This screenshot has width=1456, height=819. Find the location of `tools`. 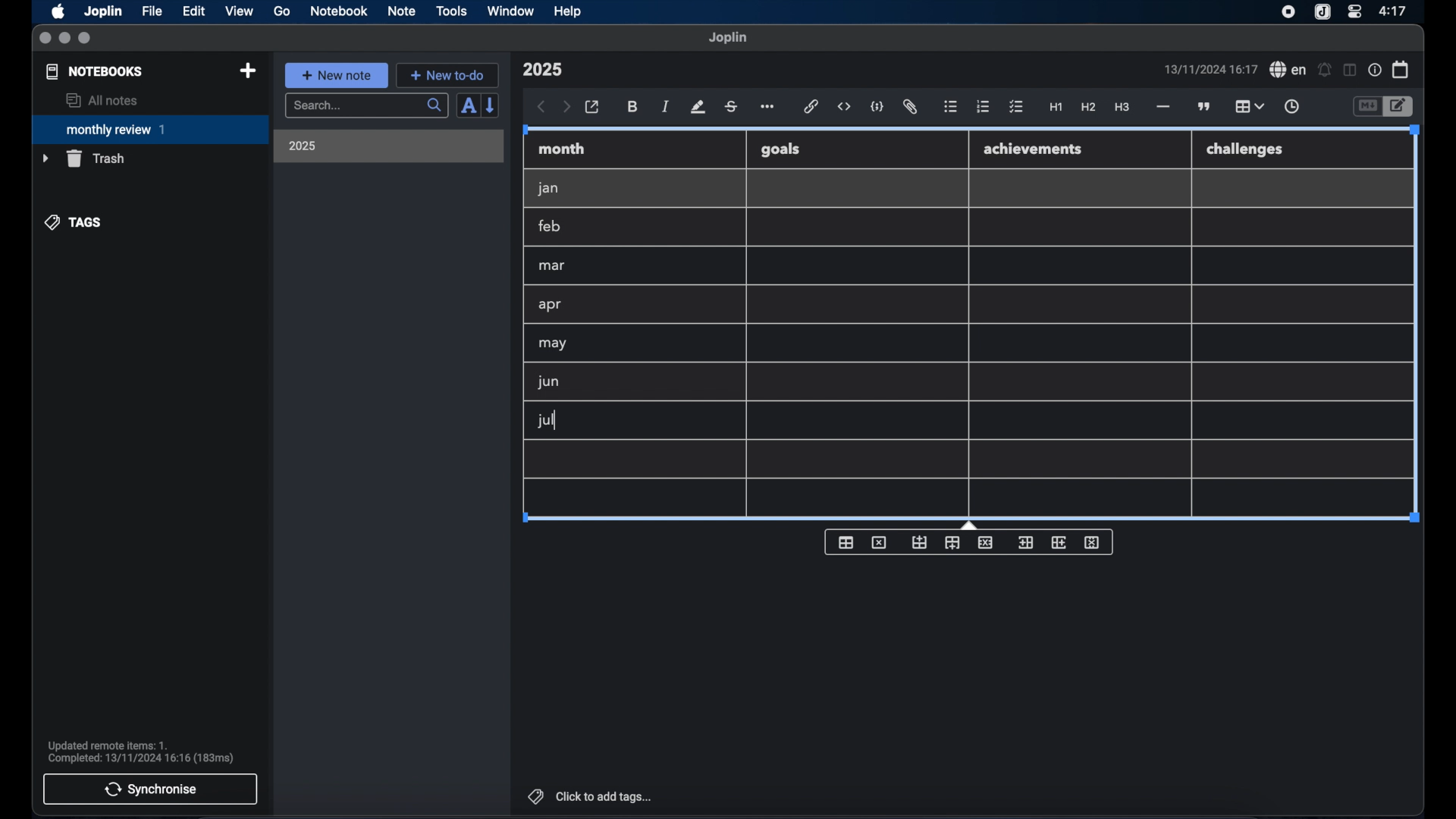

tools is located at coordinates (451, 11).